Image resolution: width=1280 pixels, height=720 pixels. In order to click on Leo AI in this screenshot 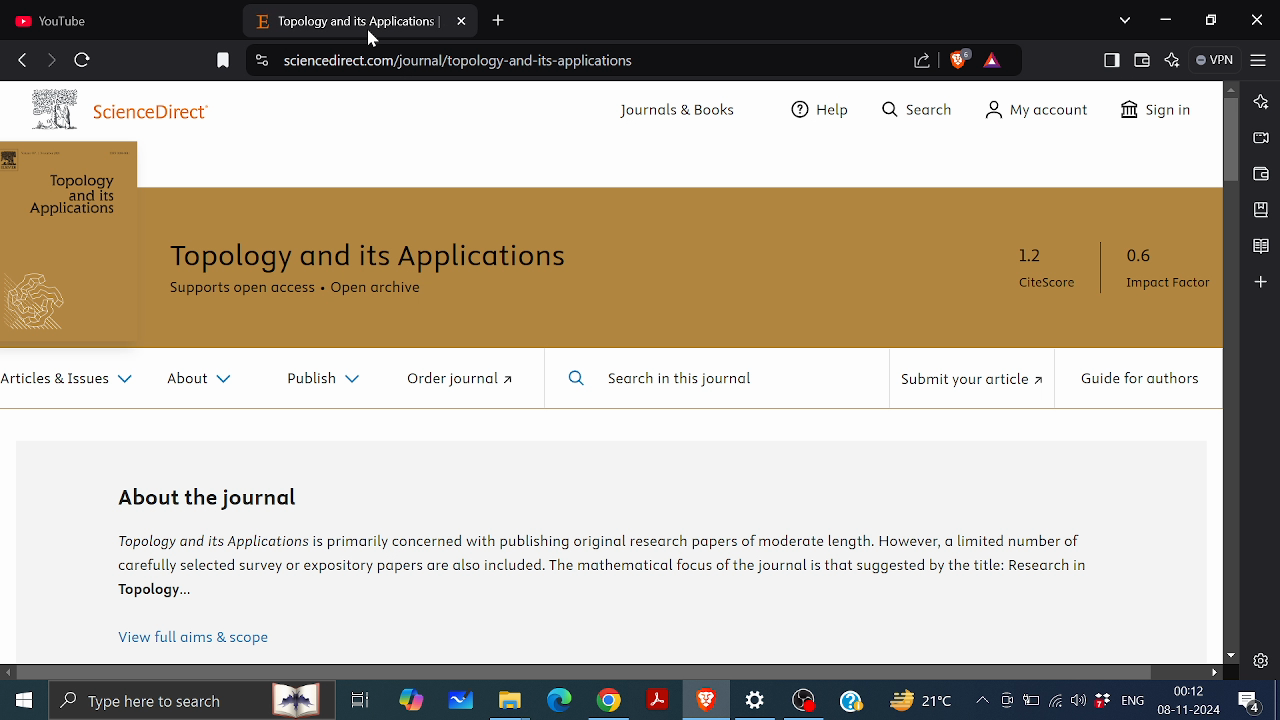, I will do `click(1174, 60)`.